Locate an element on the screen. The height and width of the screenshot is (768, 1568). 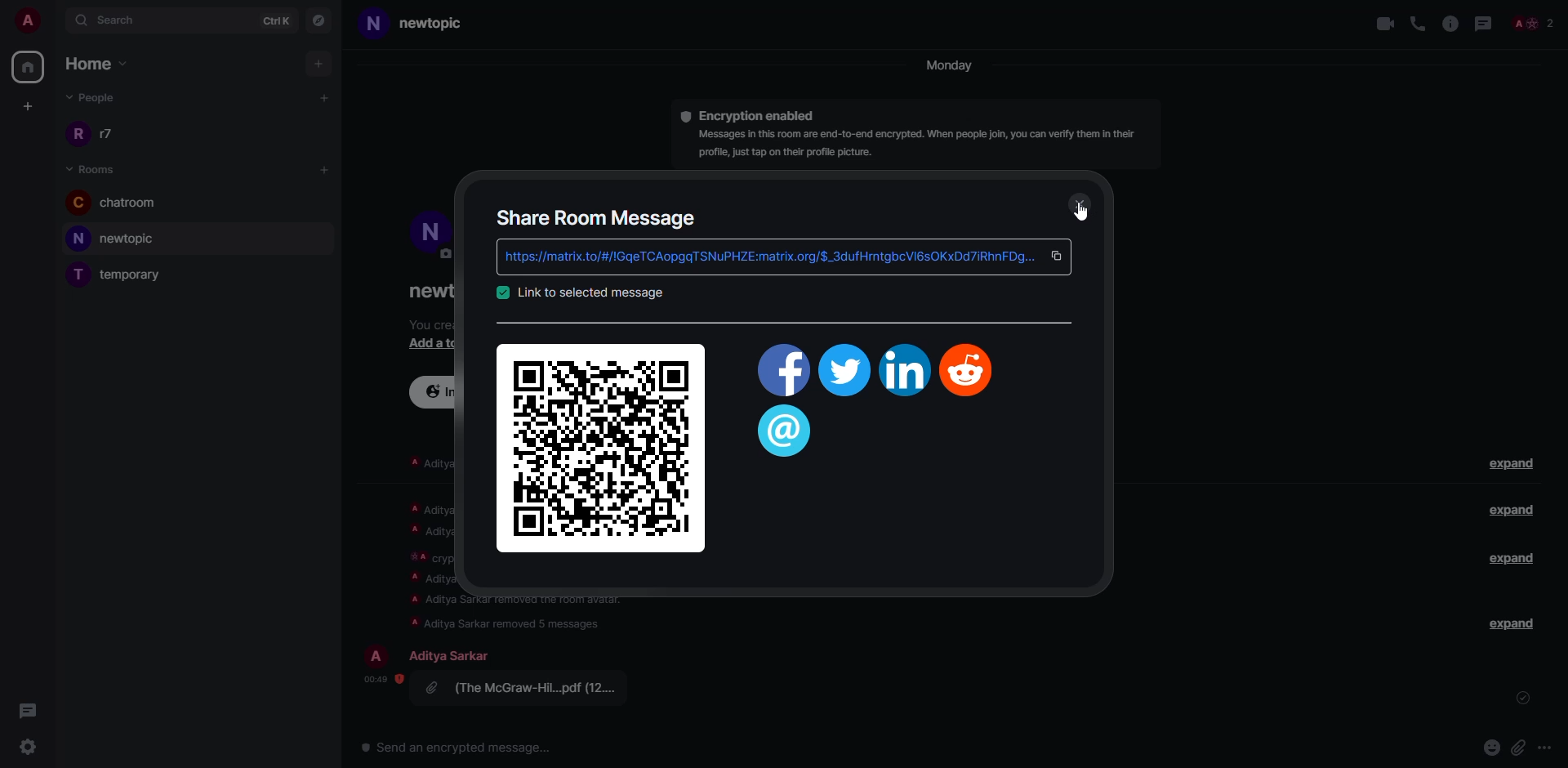
Messages in this room are end-to-end encrypted. When people join, you can verify them In their
profile, just tap on their profile picture. is located at coordinates (914, 145).